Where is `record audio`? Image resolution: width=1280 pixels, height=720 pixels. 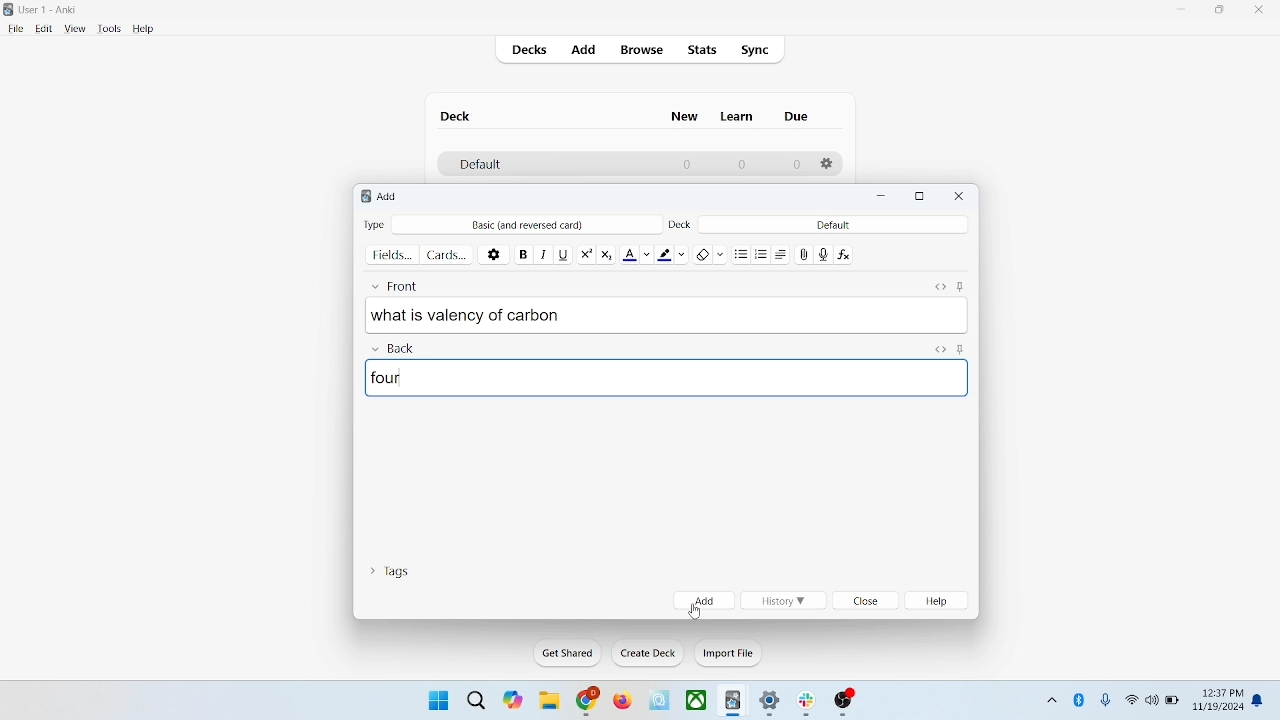
record audio is located at coordinates (824, 254).